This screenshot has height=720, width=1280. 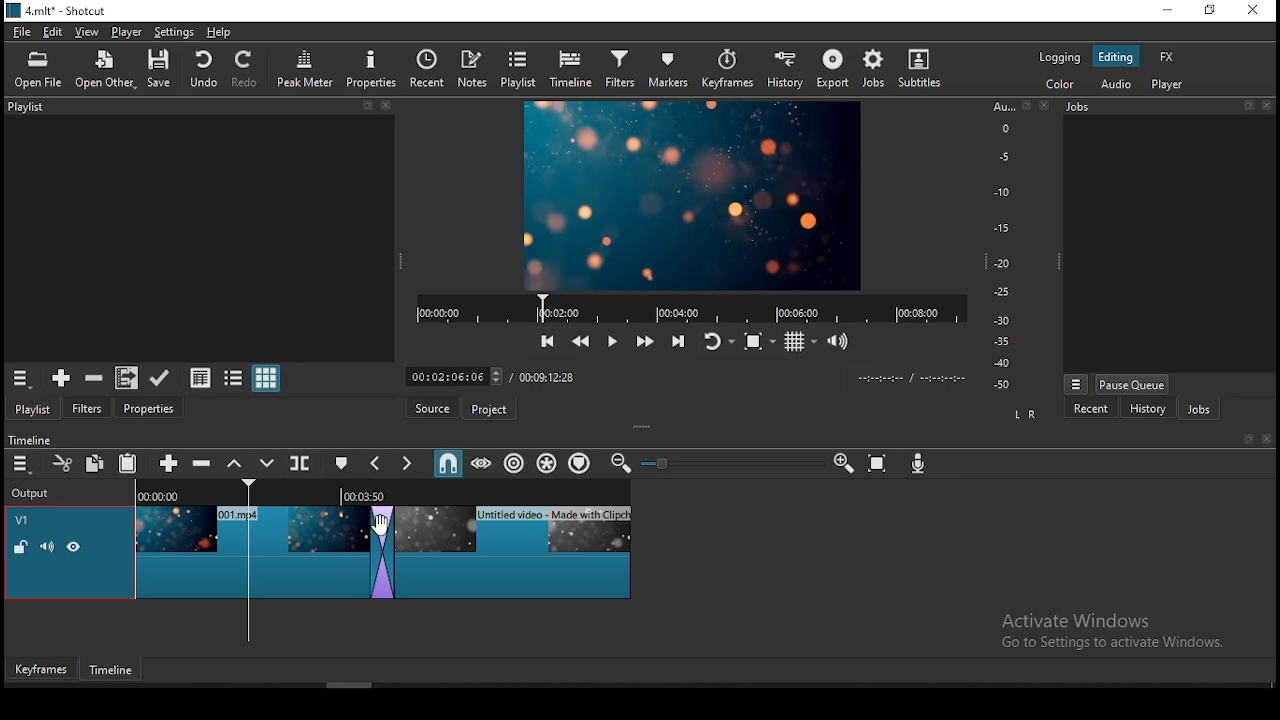 I want to click on view as details, so click(x=201, y=376).